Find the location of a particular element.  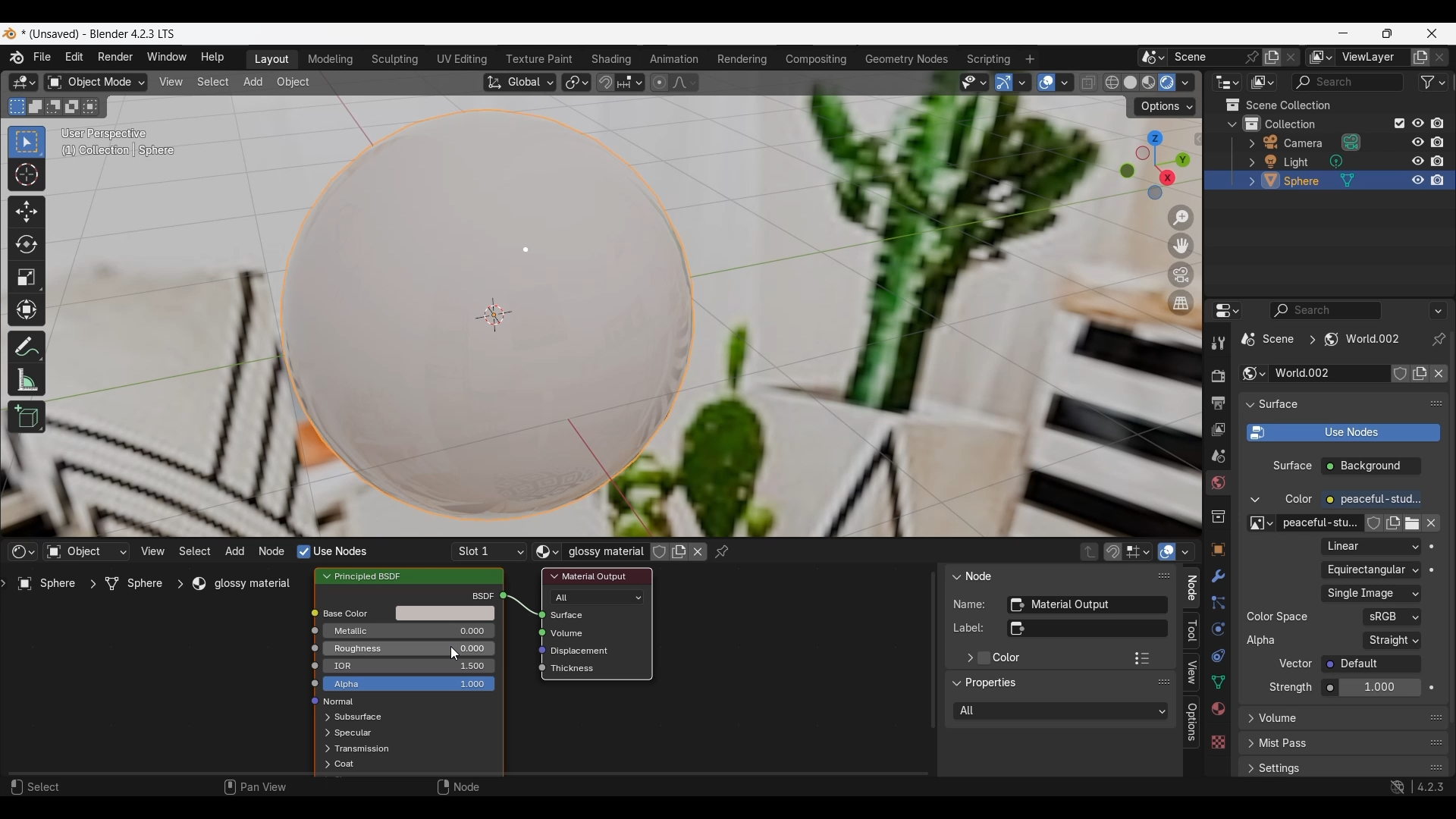

Float panel is located at coordinates (1163, 682).